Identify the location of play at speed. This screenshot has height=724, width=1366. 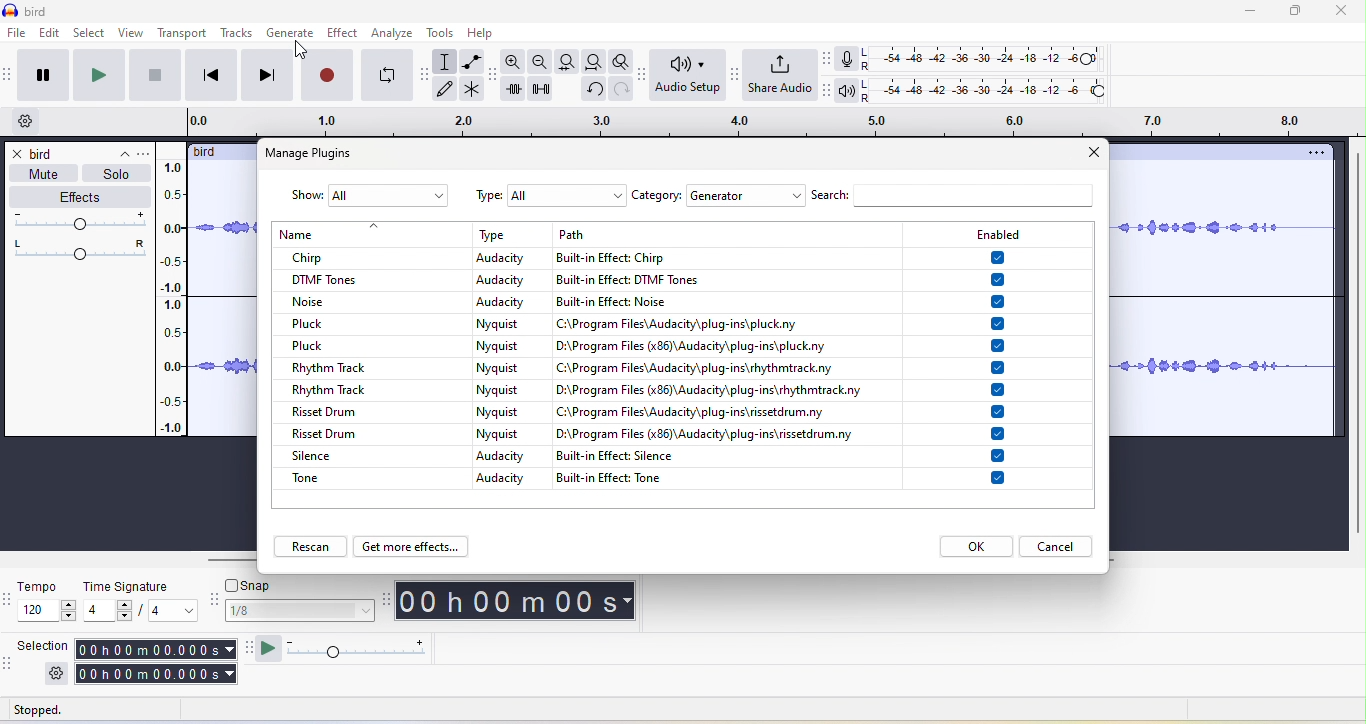
(359, 650).